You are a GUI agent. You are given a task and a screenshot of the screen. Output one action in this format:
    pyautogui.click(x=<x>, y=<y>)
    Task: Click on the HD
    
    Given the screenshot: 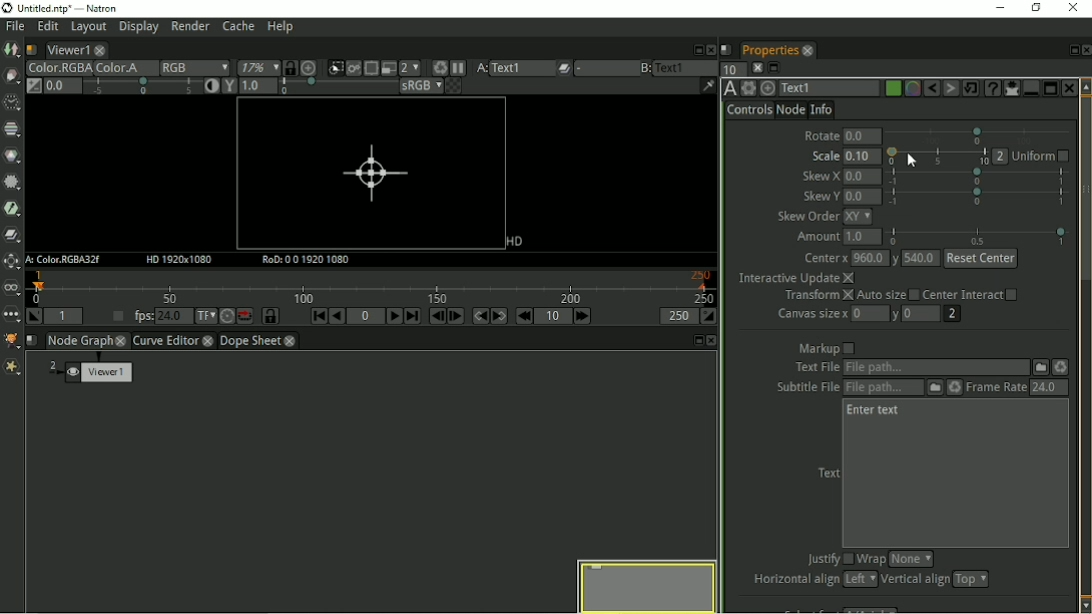 What is the action you would take?
    pyautogui.click(x=515, y=241)
    